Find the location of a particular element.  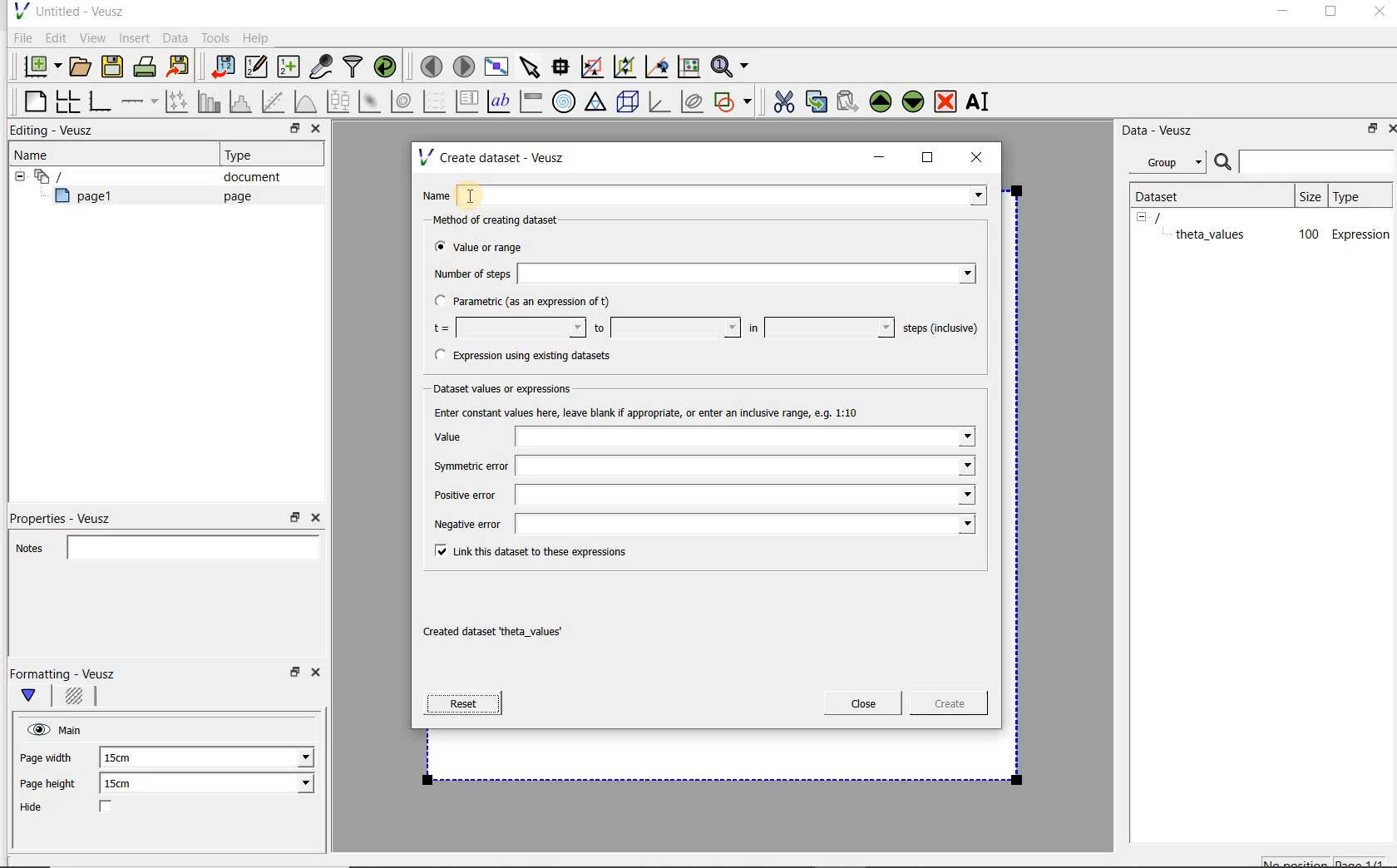

plot a 2d dataset as contours is located at coordinates (403, 101).